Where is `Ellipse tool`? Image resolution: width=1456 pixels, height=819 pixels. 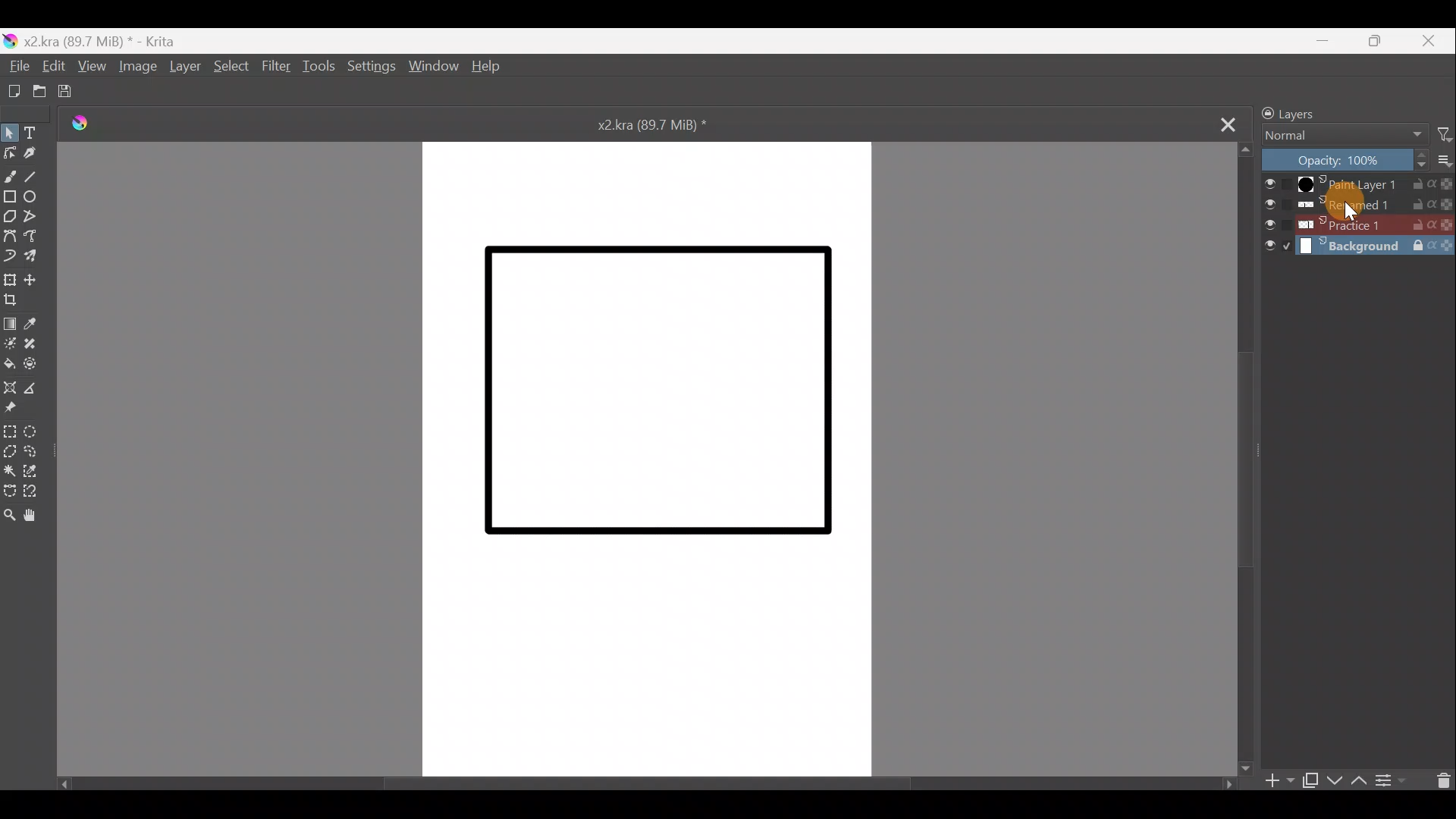 Ellipse tool is located at coordinates (36, 198).